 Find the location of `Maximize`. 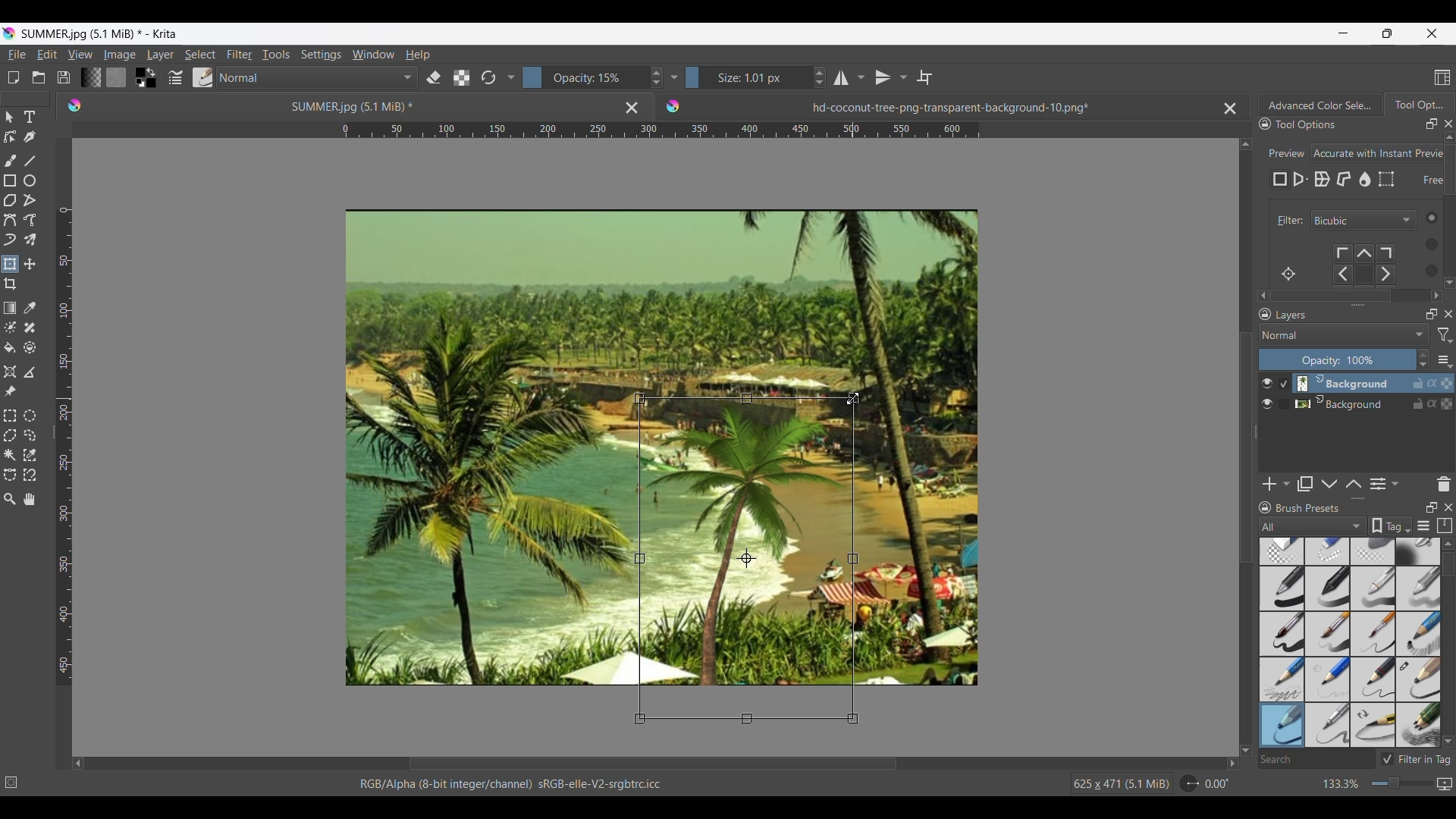

Maximize is located at coordinates (1446, 405).